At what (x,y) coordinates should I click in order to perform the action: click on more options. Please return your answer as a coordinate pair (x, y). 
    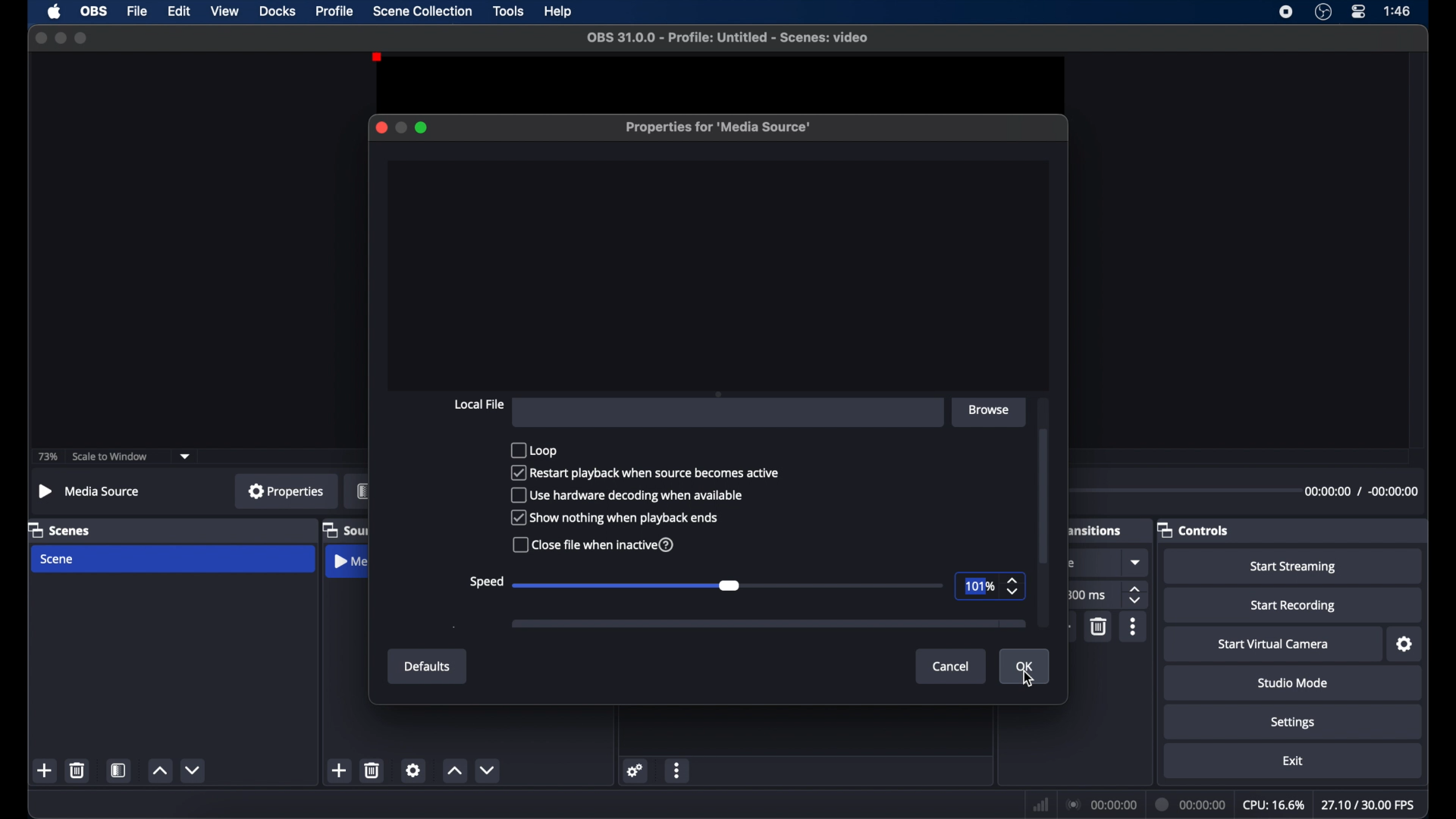
    Looking at the image, I should click on (1134, 626).